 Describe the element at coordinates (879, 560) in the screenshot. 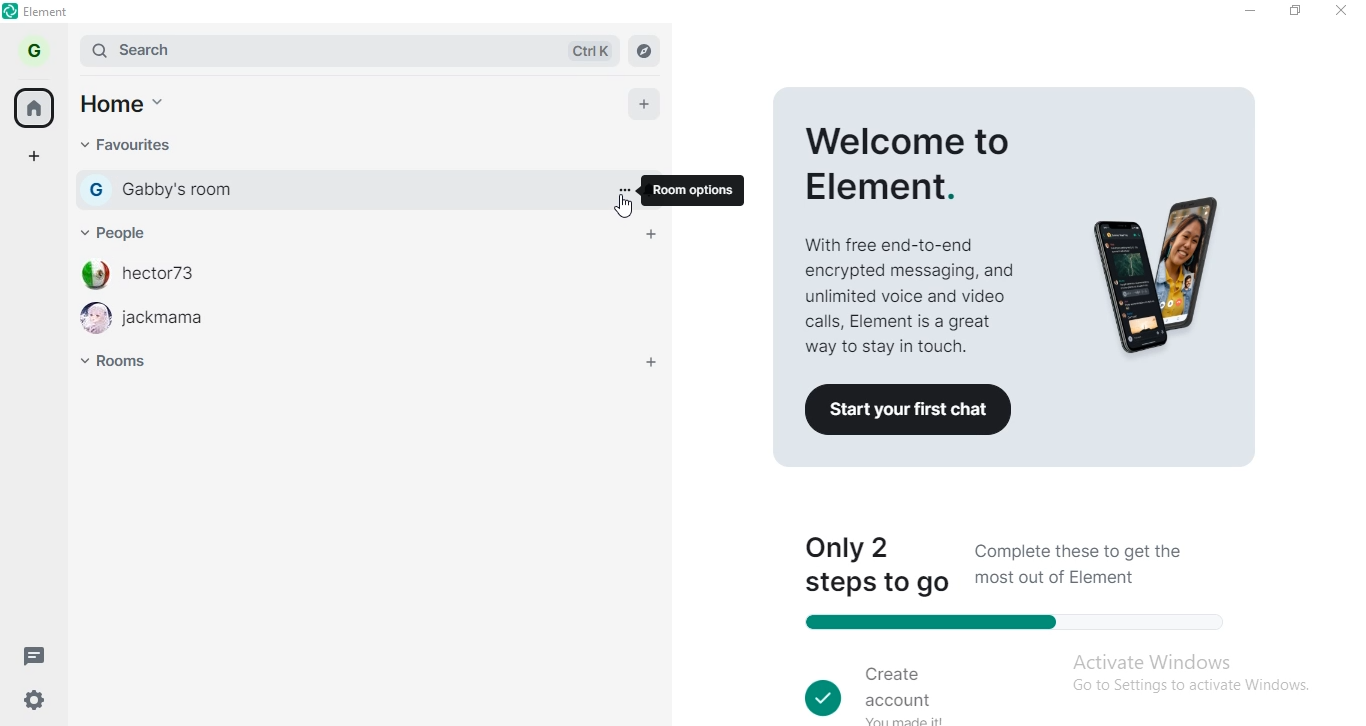

I see `only 2 steps to go` at that location.